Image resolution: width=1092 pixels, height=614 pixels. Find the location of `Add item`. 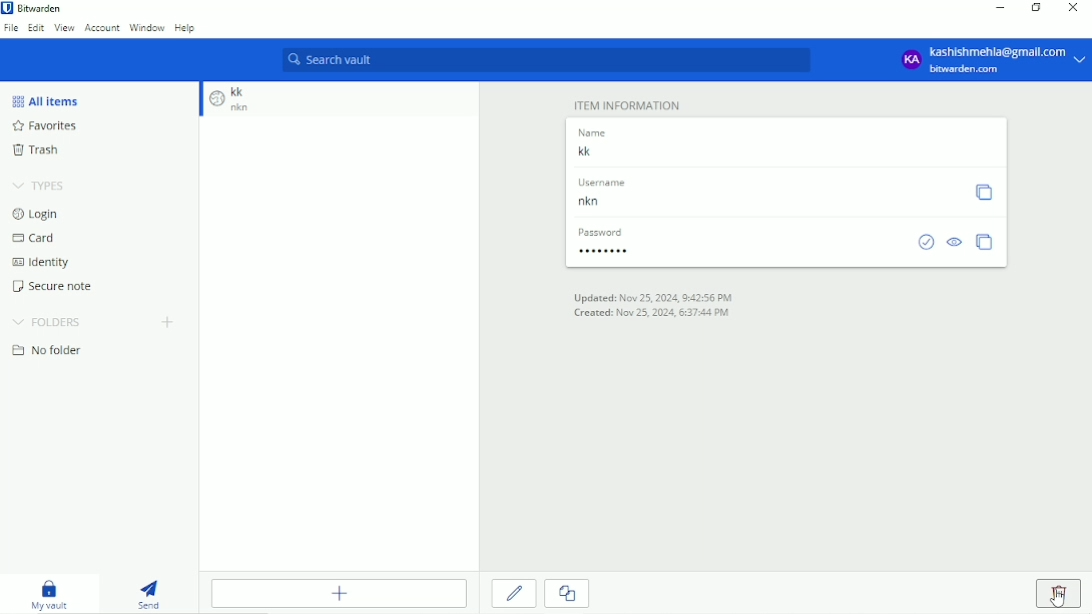

Add item is located at coordinates (339, 595).